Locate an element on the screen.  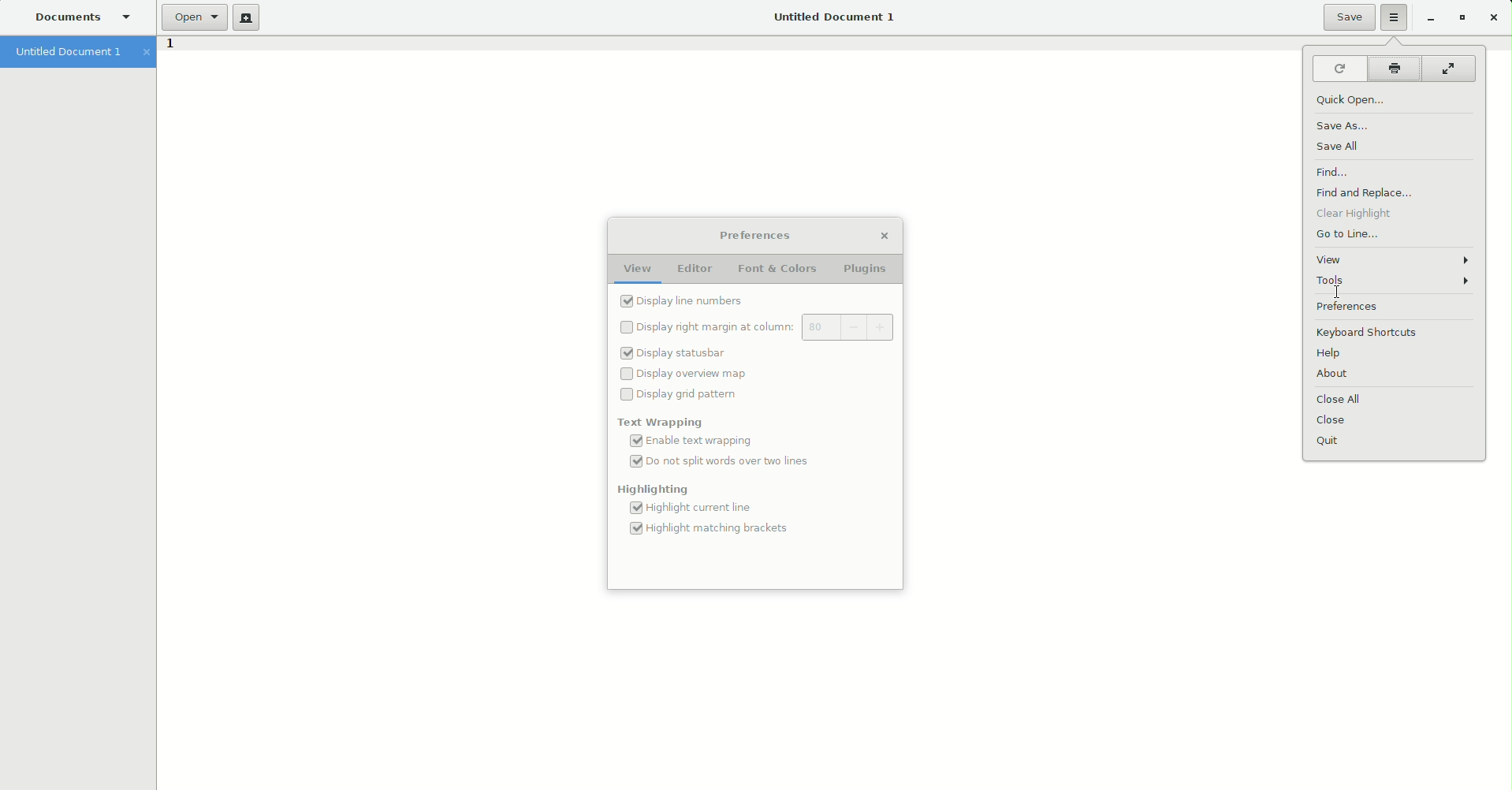
New is located at coordinates (246, 18).